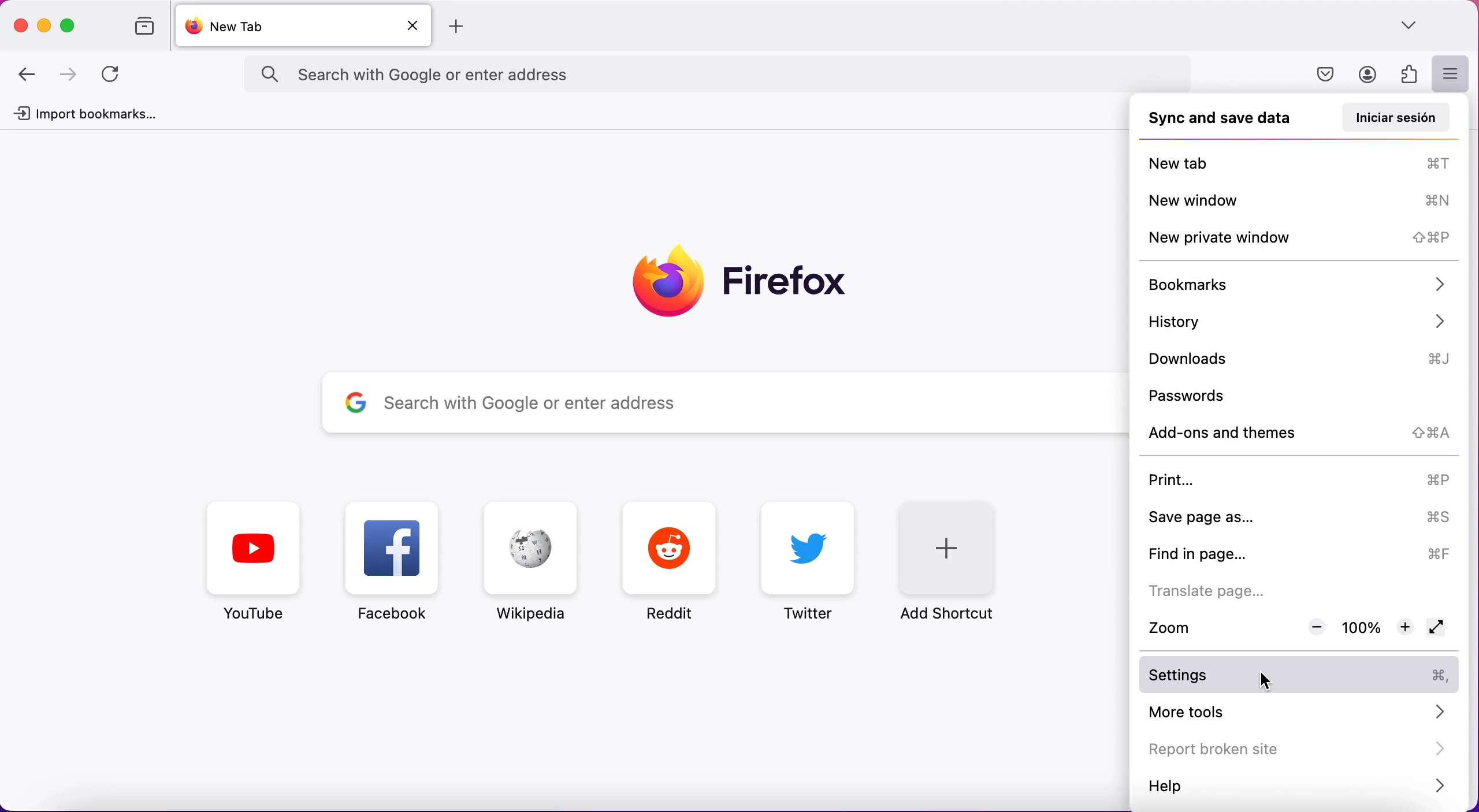 The height and width of the screenshot is (812, 1479). What do you see at coordinates (1300, 481) in the screenshot?
I see `print` at bounding box center [1300, 481].